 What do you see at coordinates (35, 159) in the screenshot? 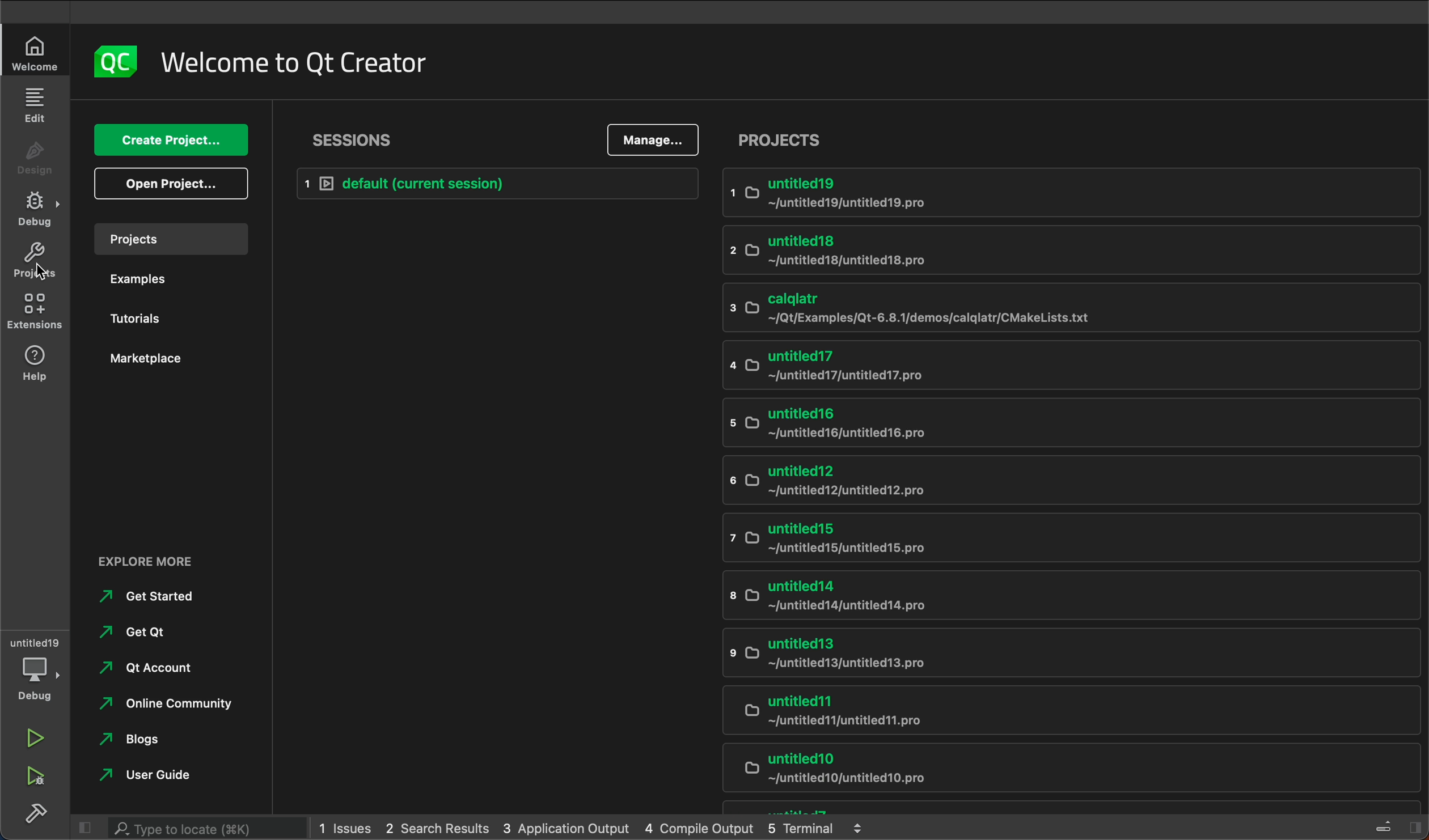
I see `design` at bounding box center [35, 159].